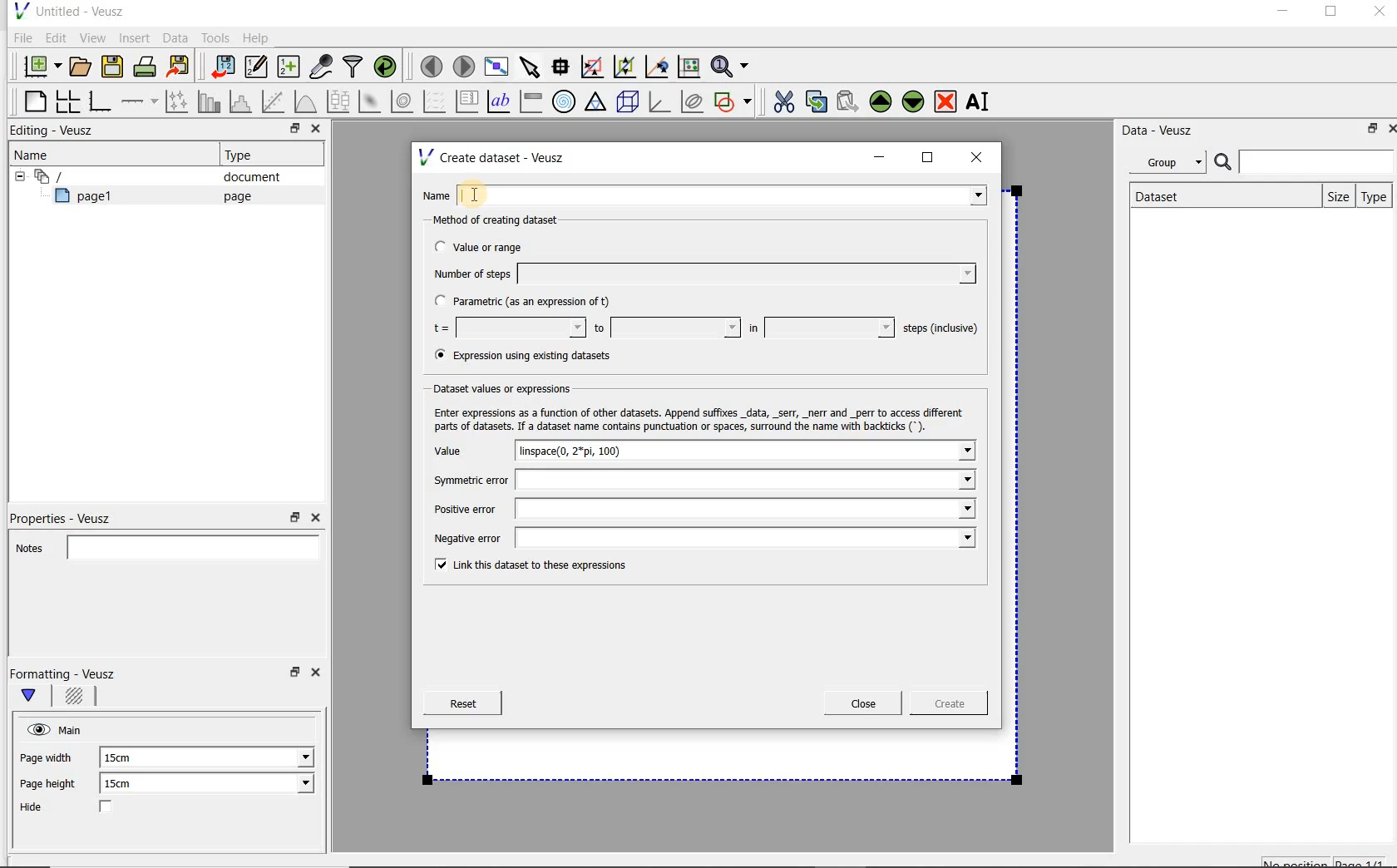 This screenshot has width=1397, height=868. I want to click on new document, so click(38, 64).